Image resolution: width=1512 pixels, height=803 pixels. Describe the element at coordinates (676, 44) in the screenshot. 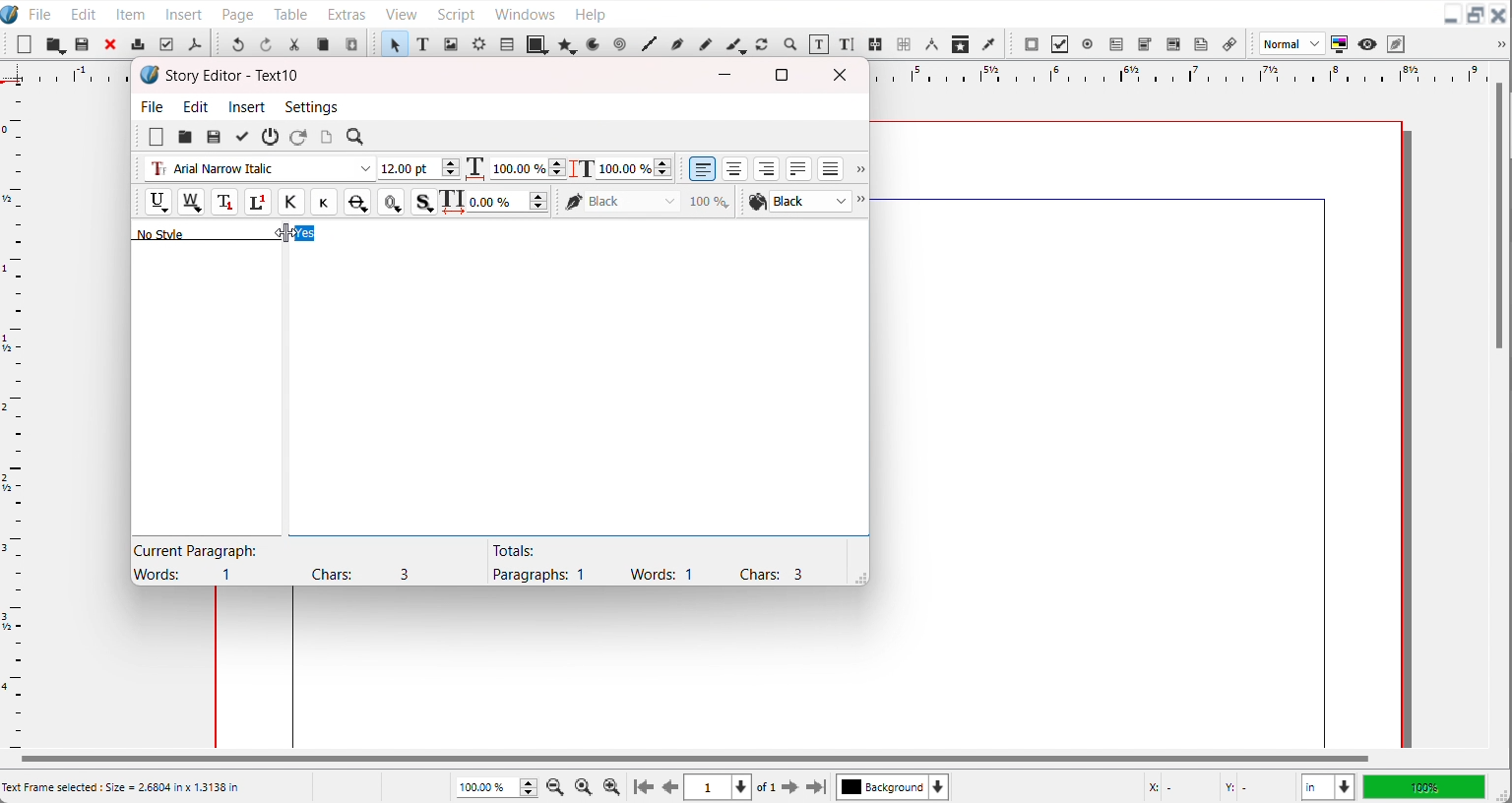

I see `Bezier curve` at that location.